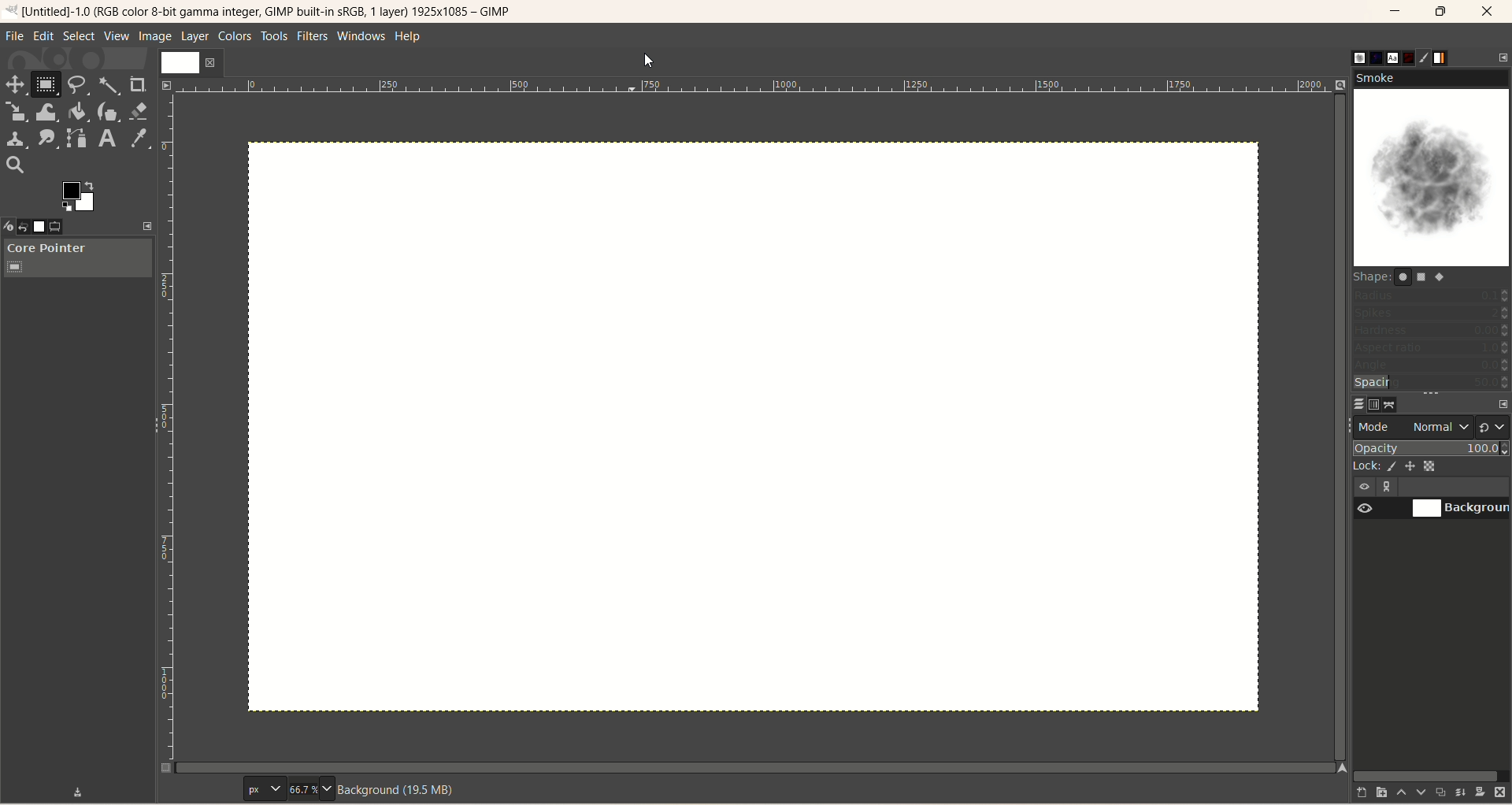  What do you see at coordinates (146, 227) in the screenshot?
I see `configure this tab` at bounding box center [146, 227].